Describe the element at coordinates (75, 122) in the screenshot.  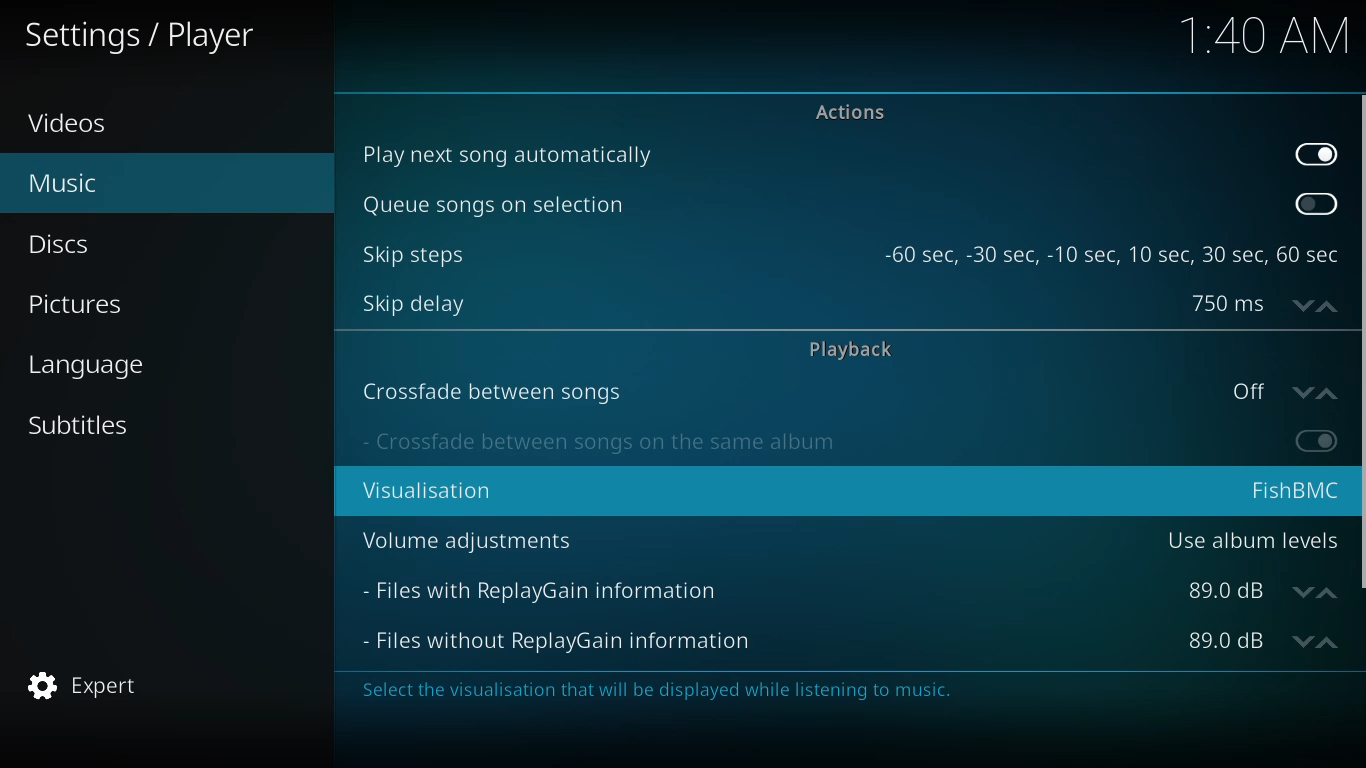
I see `videos` at that location.